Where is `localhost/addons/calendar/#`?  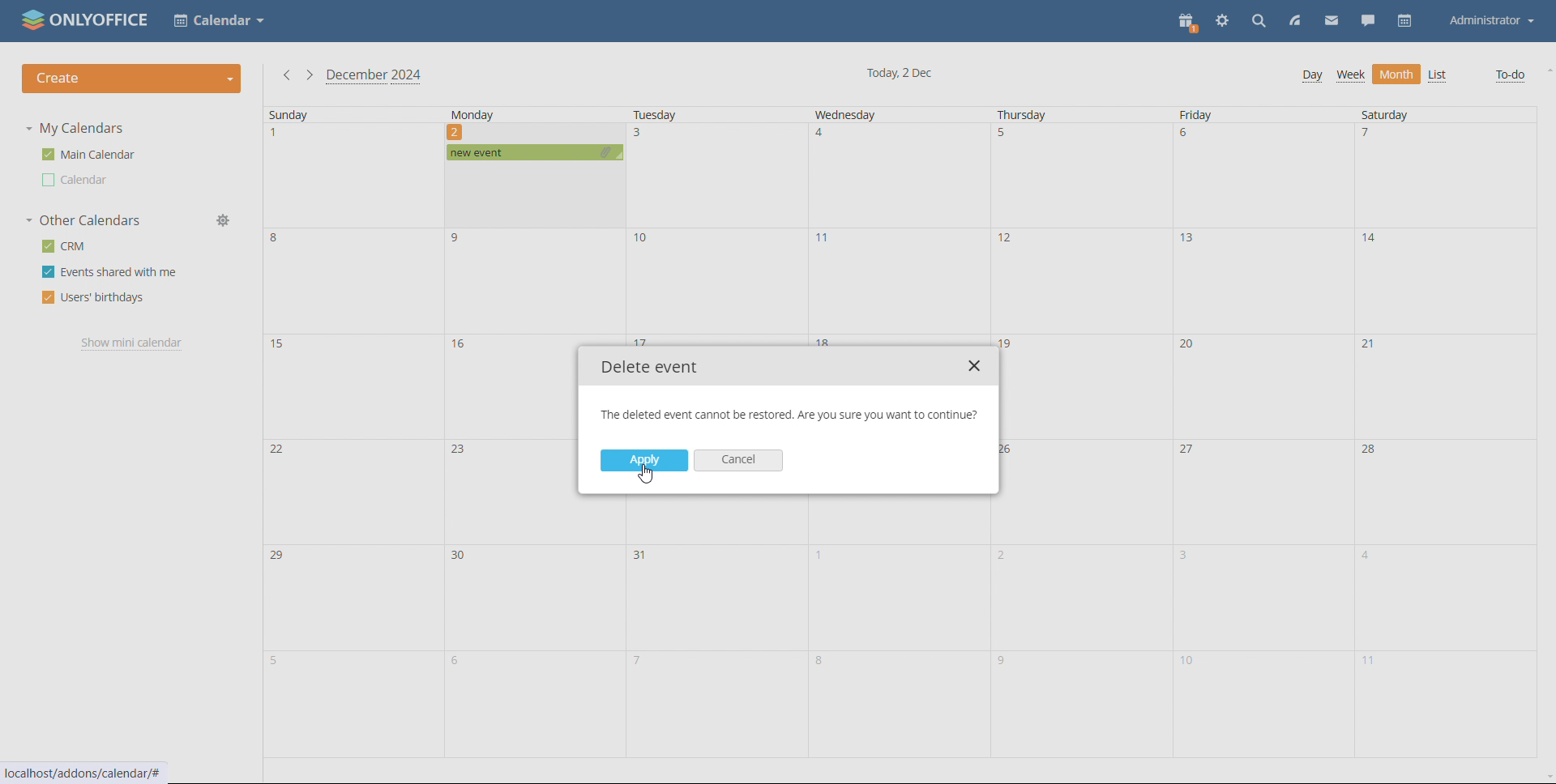
localhost/addons/calendar/# is located at coordinates (84, 773).